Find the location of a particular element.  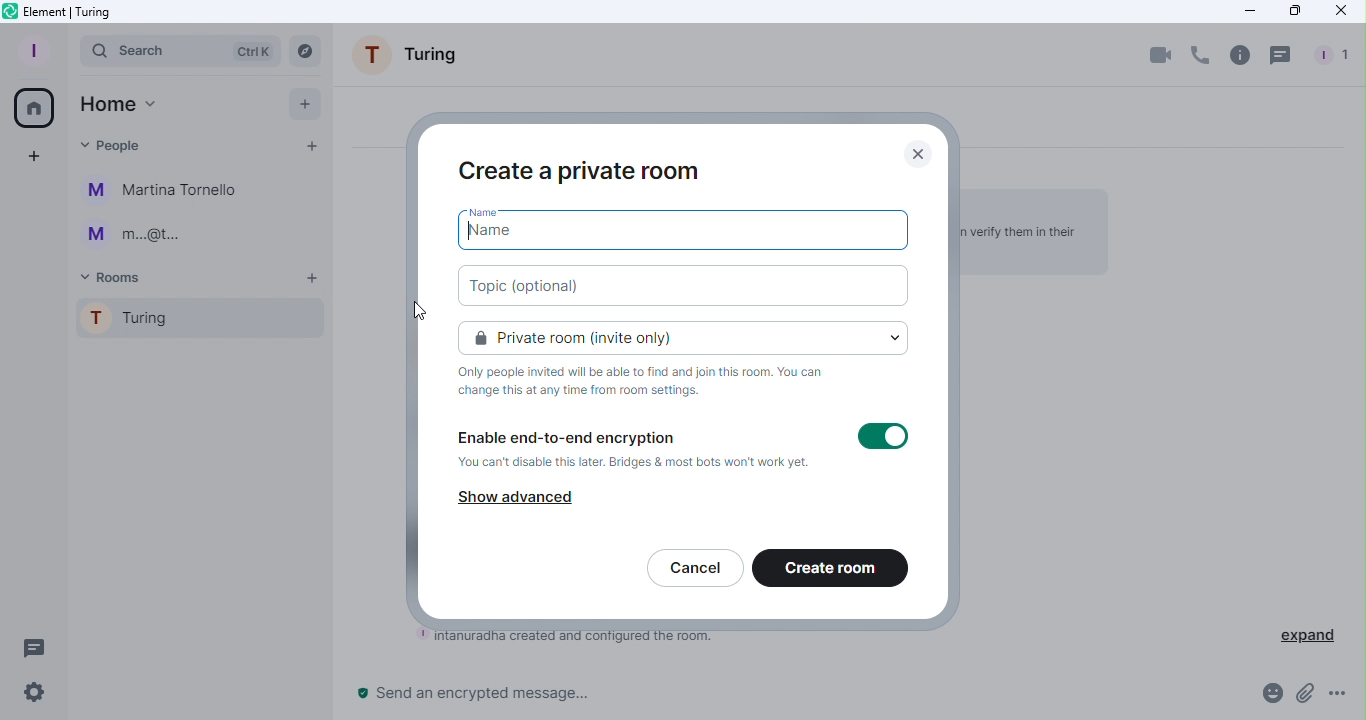

Close is located at coordinates (1341, 13).